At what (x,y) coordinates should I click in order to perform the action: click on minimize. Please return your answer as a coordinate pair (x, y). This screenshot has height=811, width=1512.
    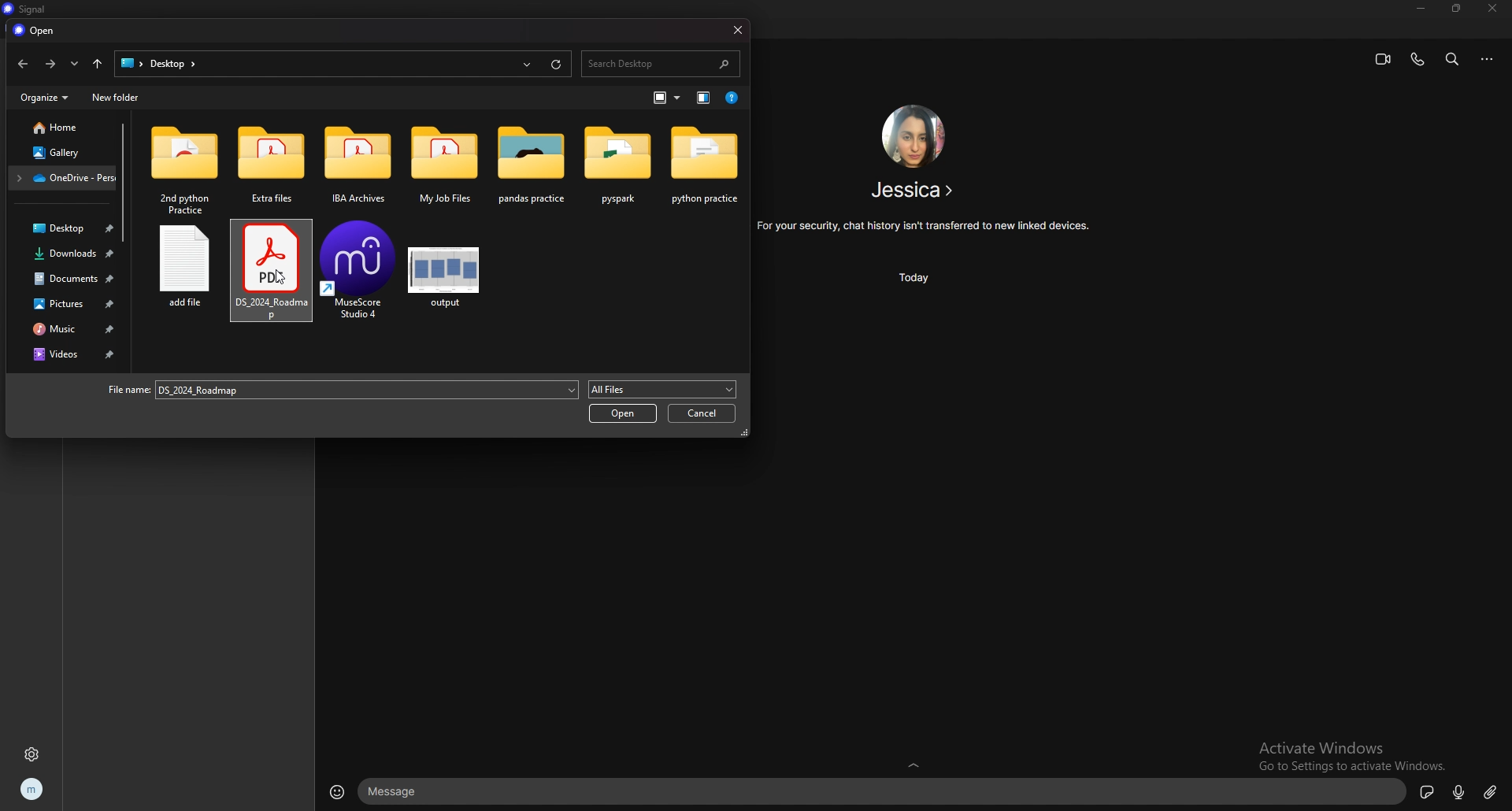
    Looking at the image, I should click on (1422, 9).